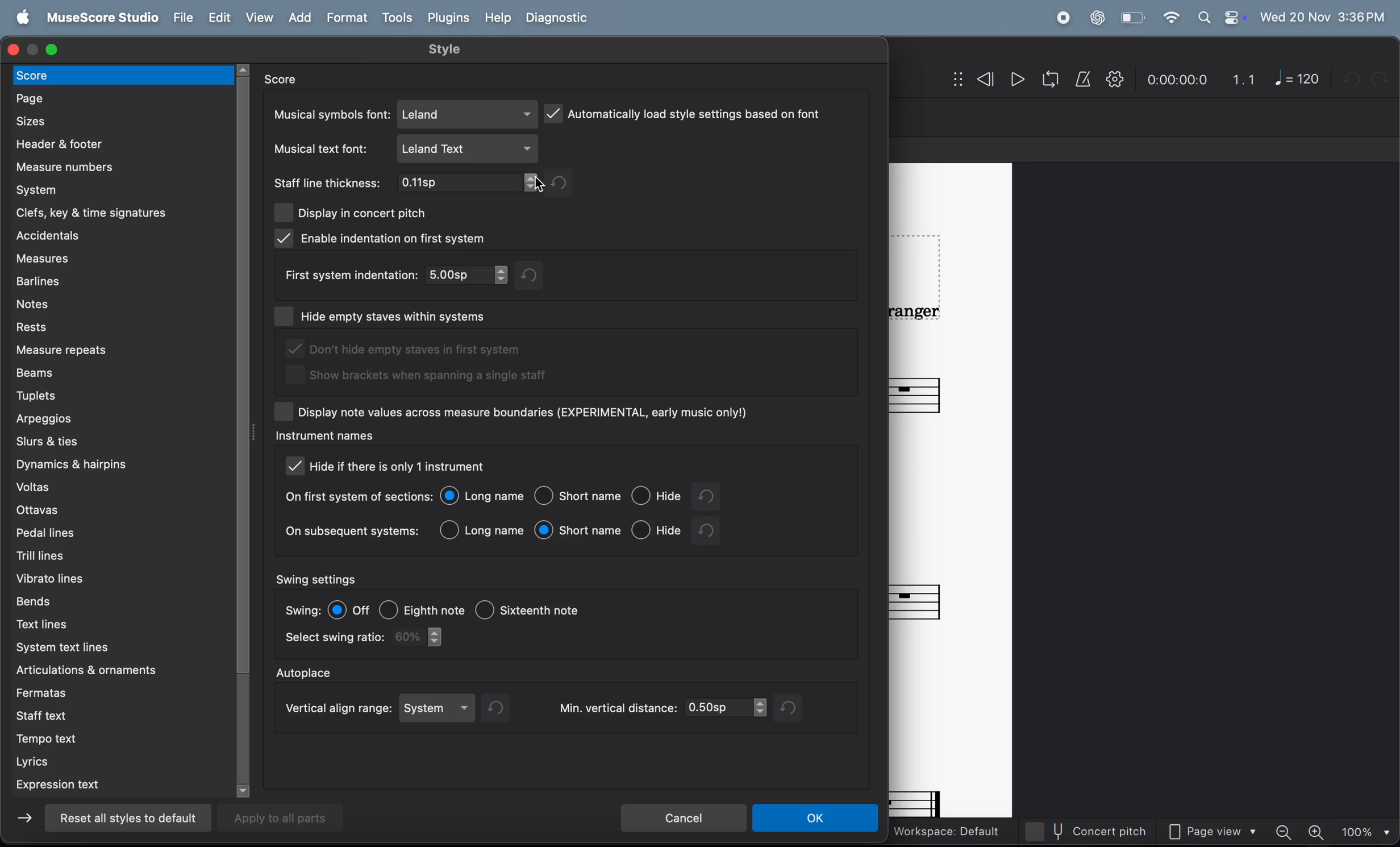 Image resolution: width=1400 pixels, height=847 pixels. I want to click on date and time, so click(1323, 15).